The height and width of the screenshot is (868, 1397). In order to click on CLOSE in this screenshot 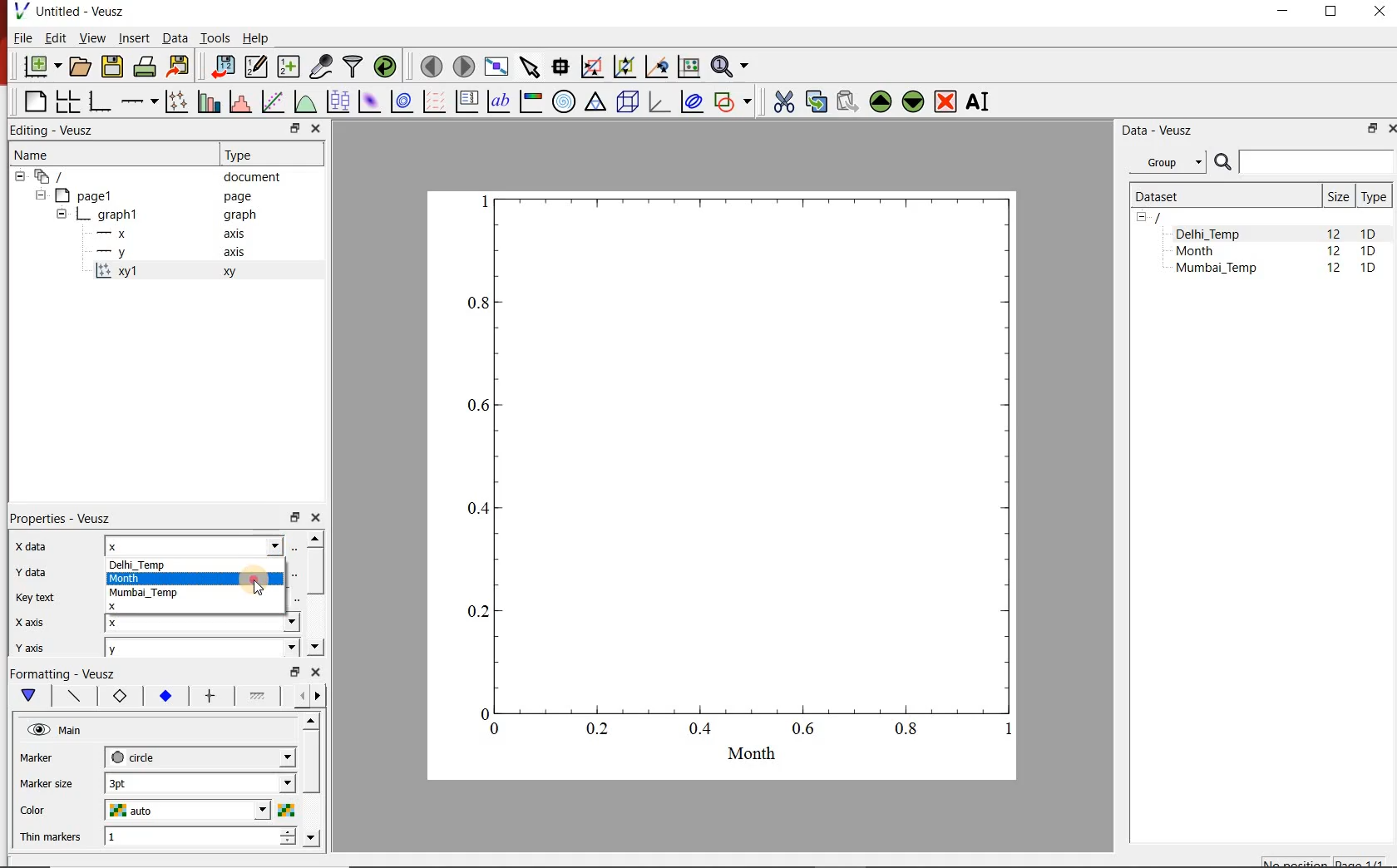, I will do `click(1390, 129)`.